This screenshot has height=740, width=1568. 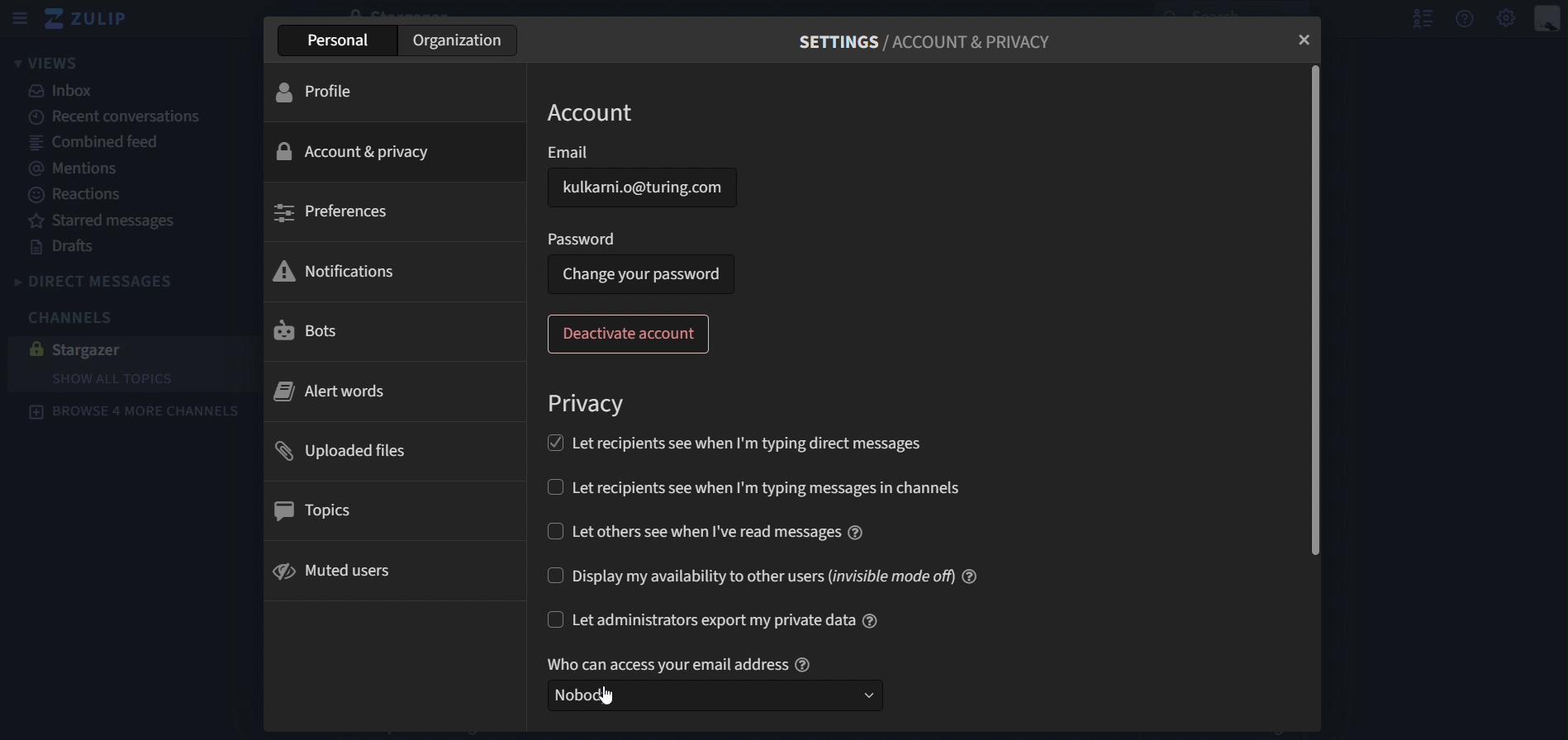 What do you see at coordinates (570, 152) in the screenshot?
I see `email` at bounding box center [570, 152].